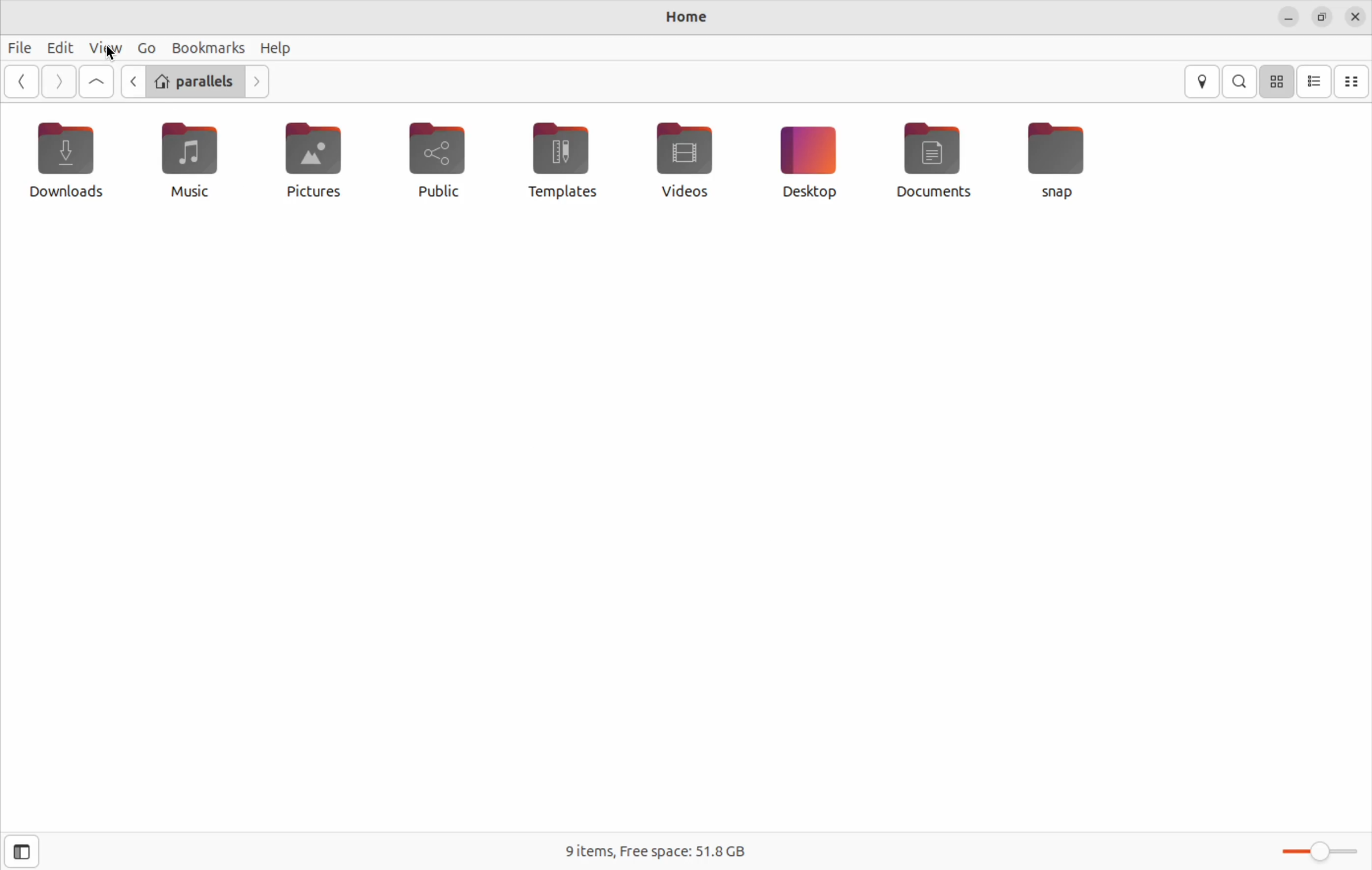 The width and height of the screenshot is (1372, 870). I want to click on help, so click(276, 47).